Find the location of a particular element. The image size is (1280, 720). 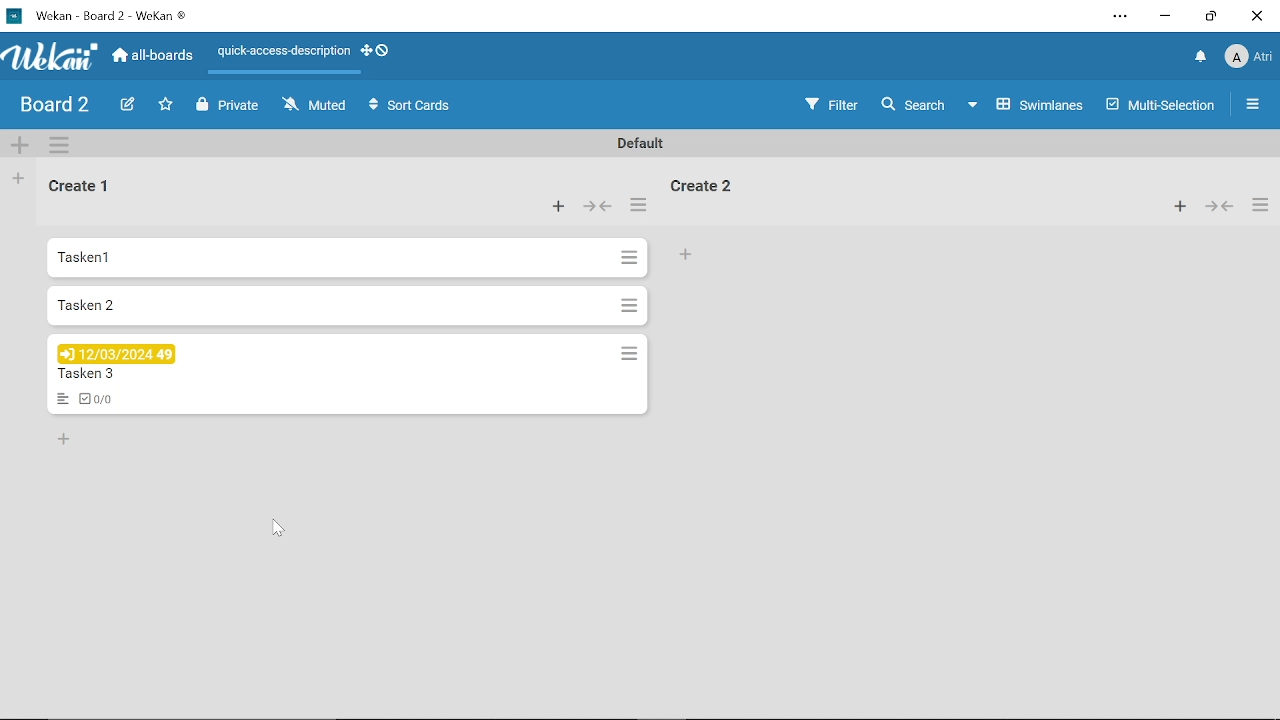

Board 2 is located at coordinates (54, 106).